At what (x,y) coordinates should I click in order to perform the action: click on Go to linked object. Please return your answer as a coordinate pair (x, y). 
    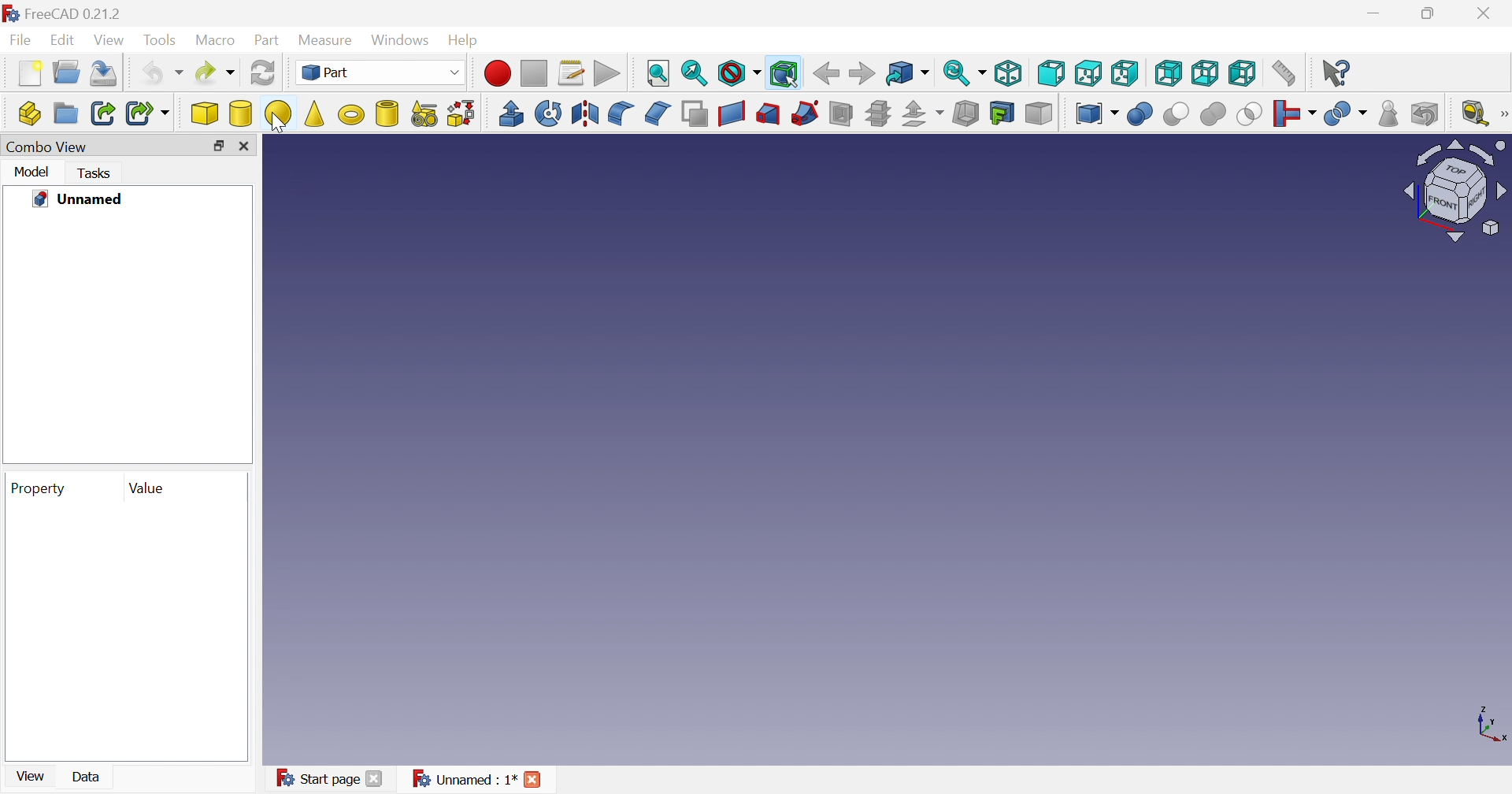
    Looking at the image, I should click on (907, 74).